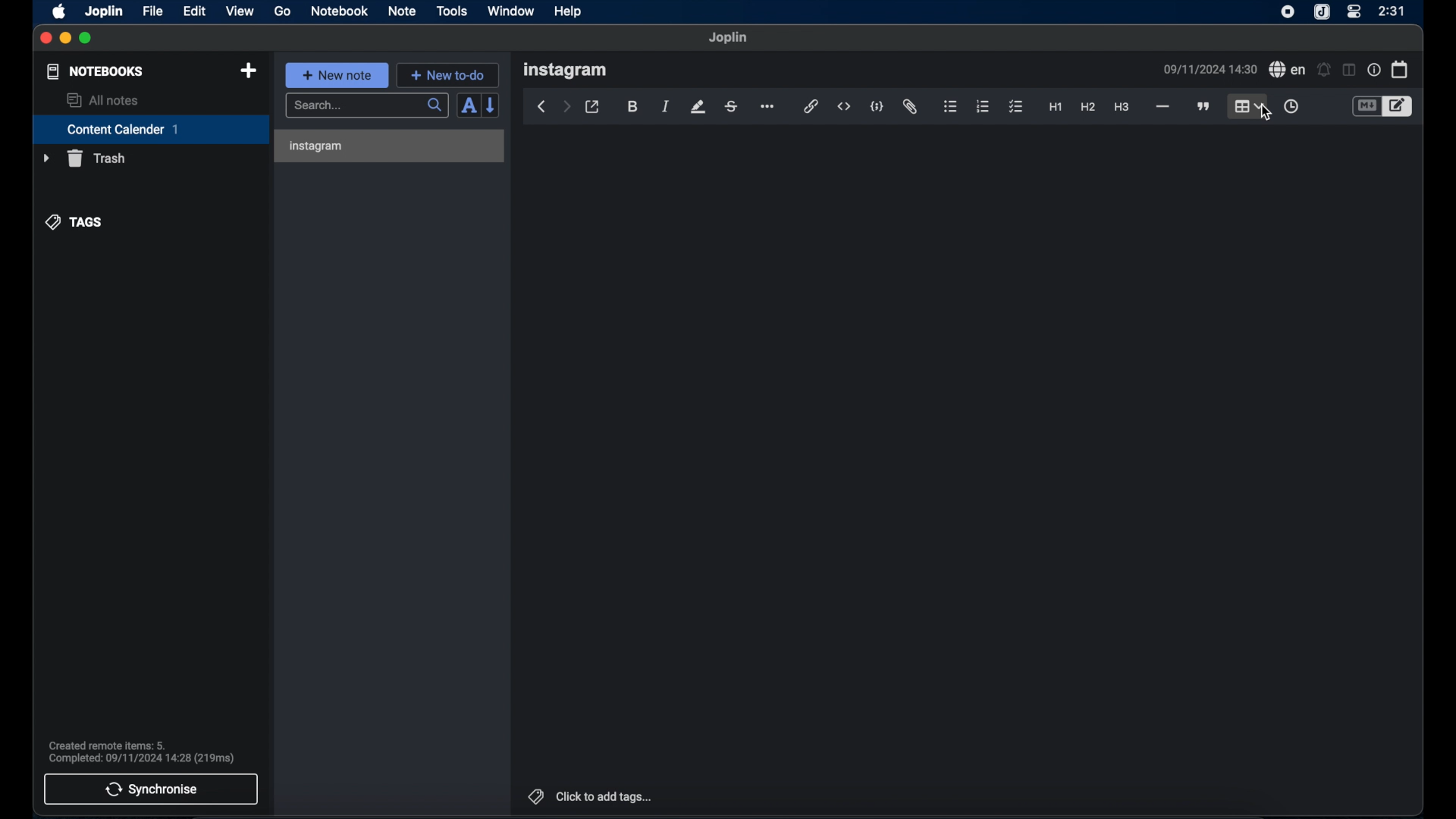 Image resolution: width=1456 pixels, height=819 pixels. What do you see at coordinates (143, 751) in the screenshot?
I see `Created remote items: 5.
Completed: 09/11/2024 14:28 (219ms)` at bounding box center [143, 751].